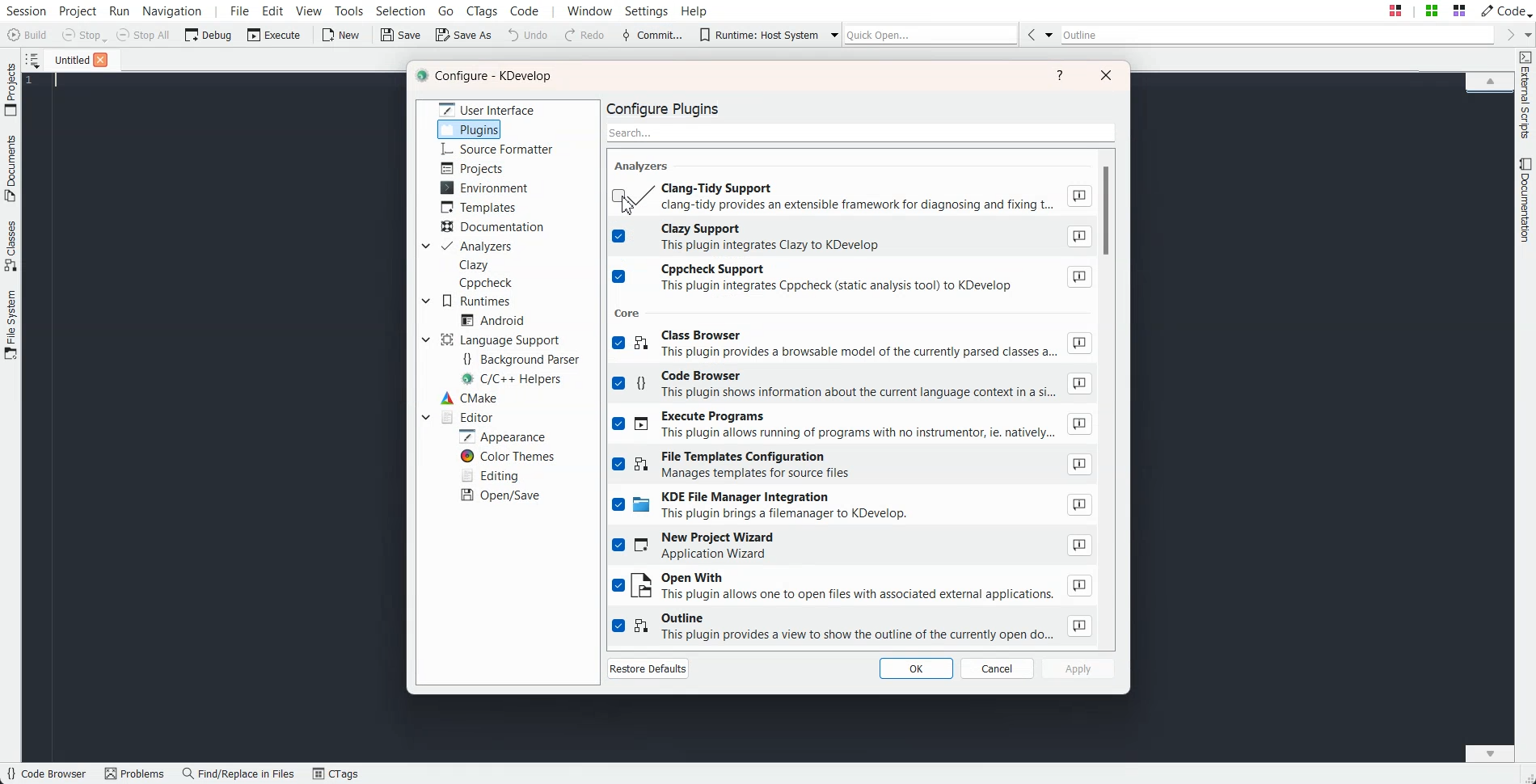 The height and width of the screenshot is (784, 1536). What do you see at coordinates (1078, 464) in the screenshot?
I see `About` at bounding box center [1078, 464].